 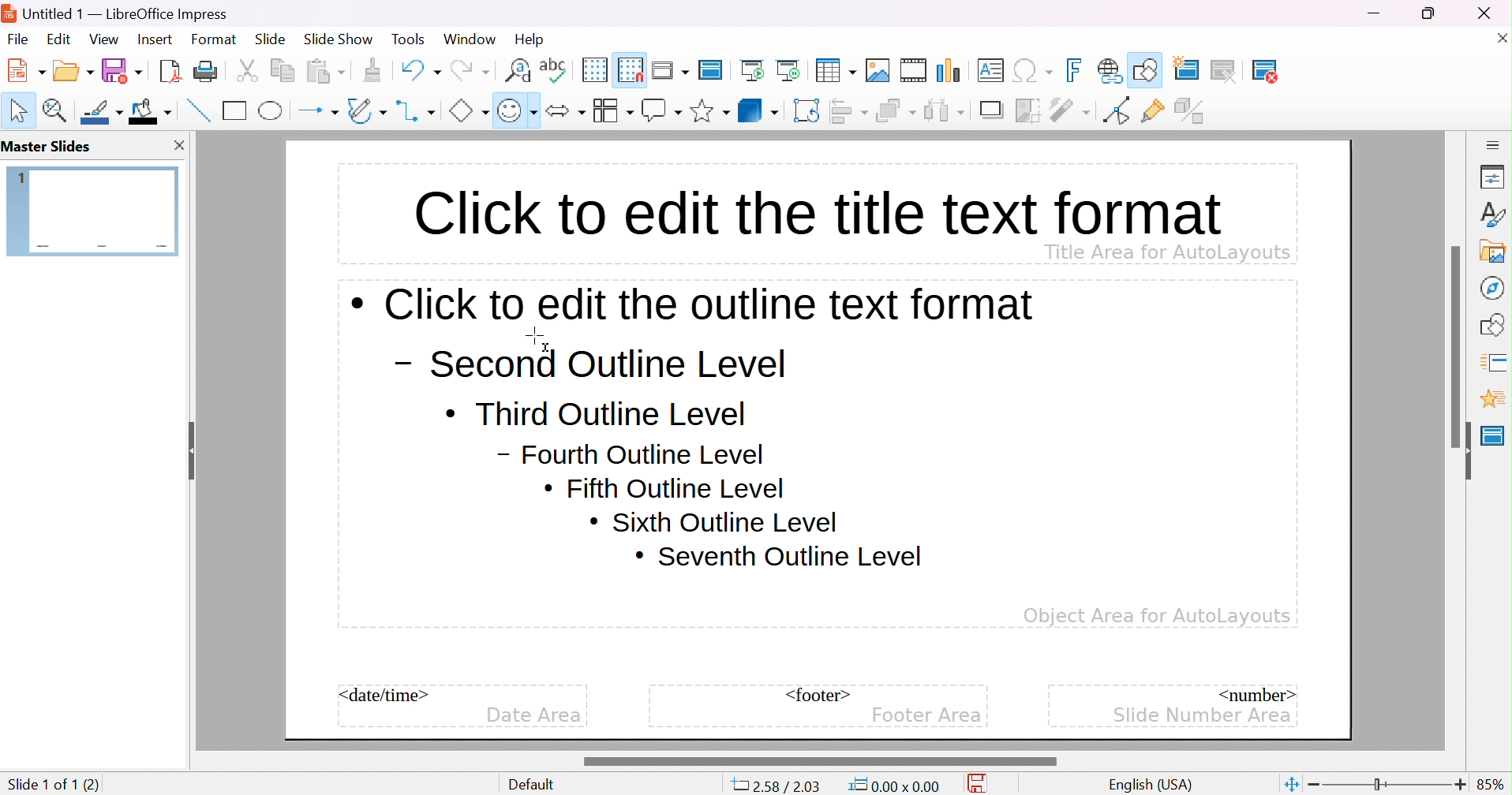 I want to click on basic shapes, so click(x=468, y=110).